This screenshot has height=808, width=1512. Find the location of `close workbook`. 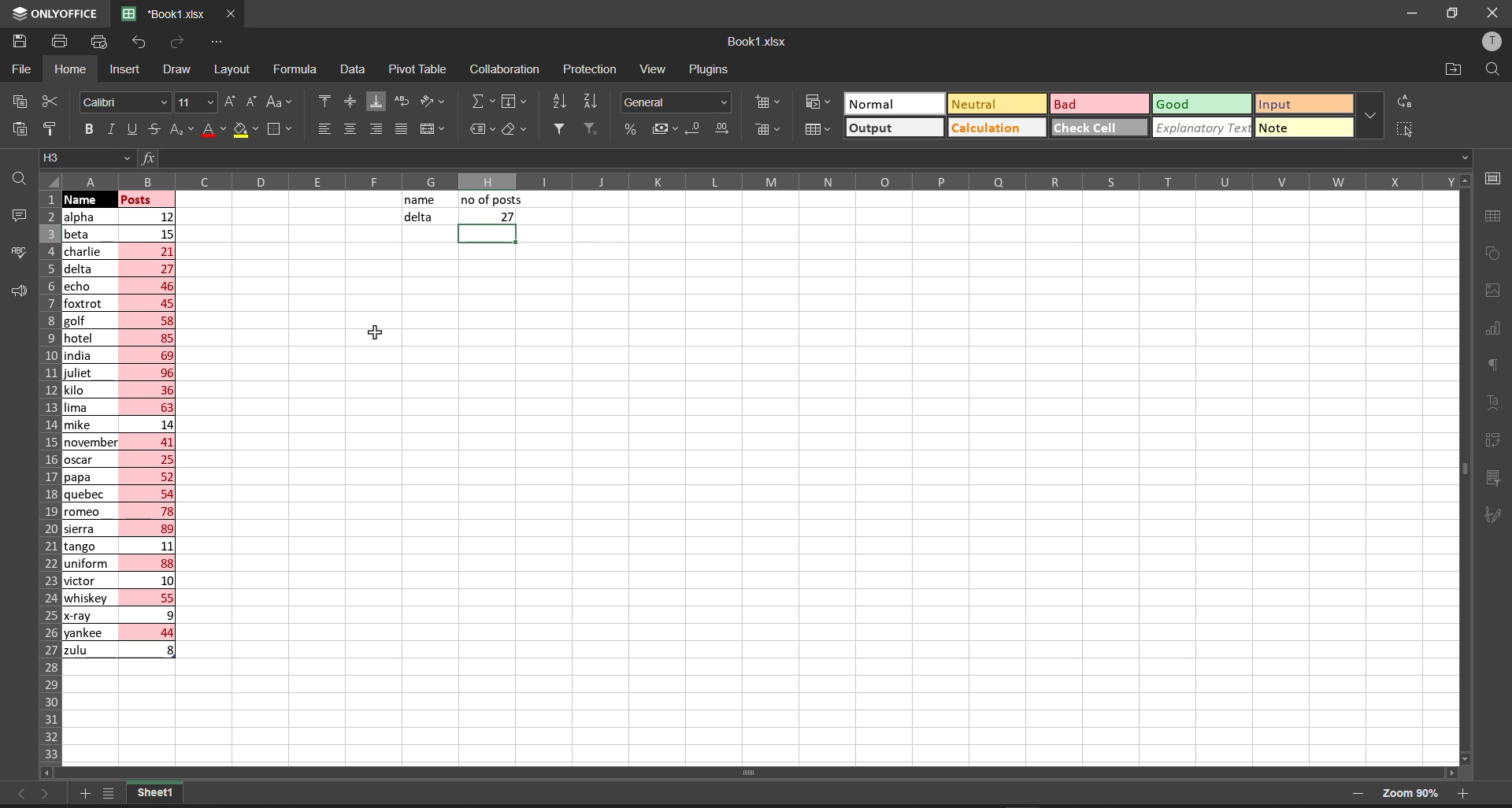

close workbook is located at coordinates (232, 14).